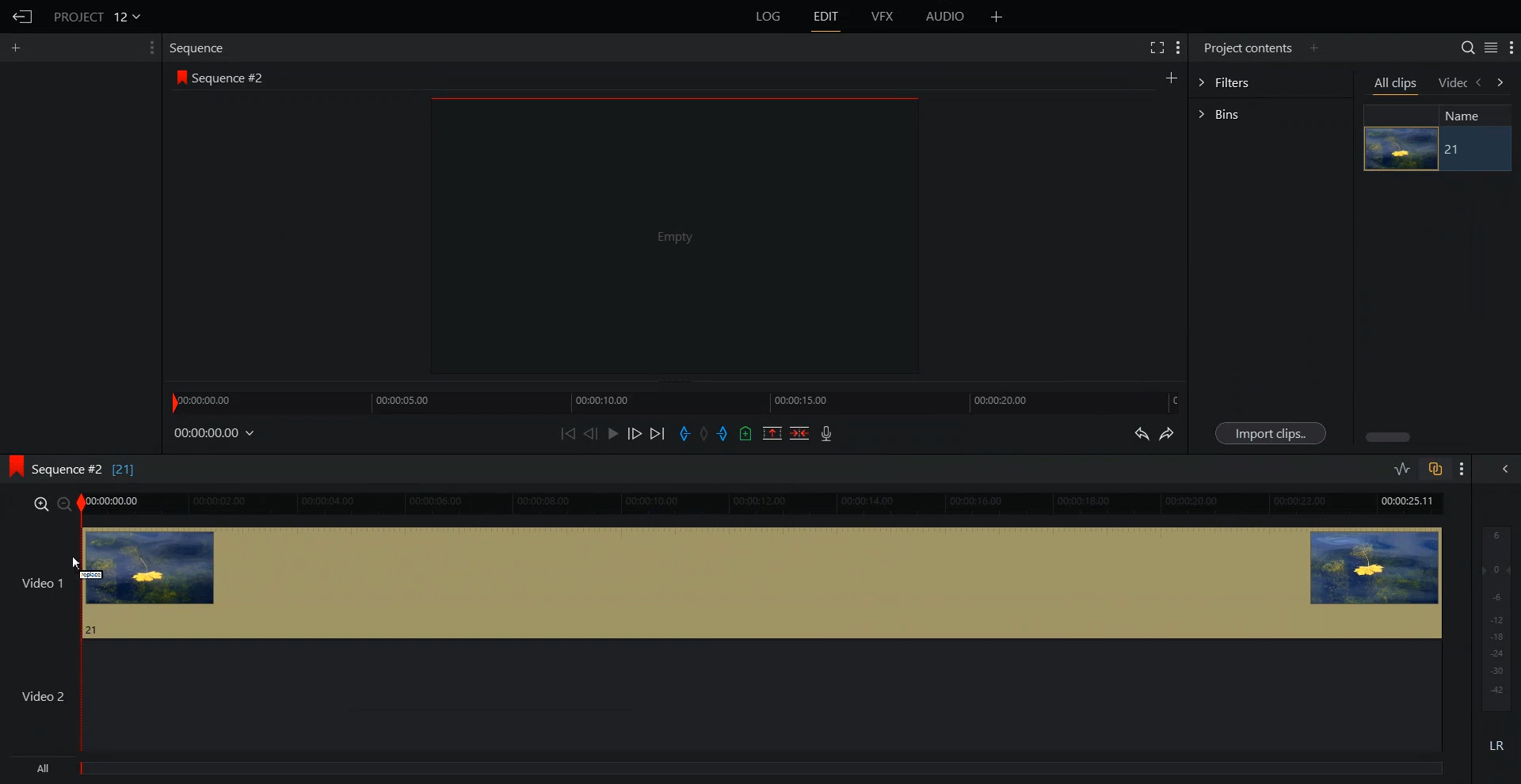 This screenshot has width=1521, height=784. Describe the element at coordinates (997, 17) in the screenshot. I see `Add File` at that location.